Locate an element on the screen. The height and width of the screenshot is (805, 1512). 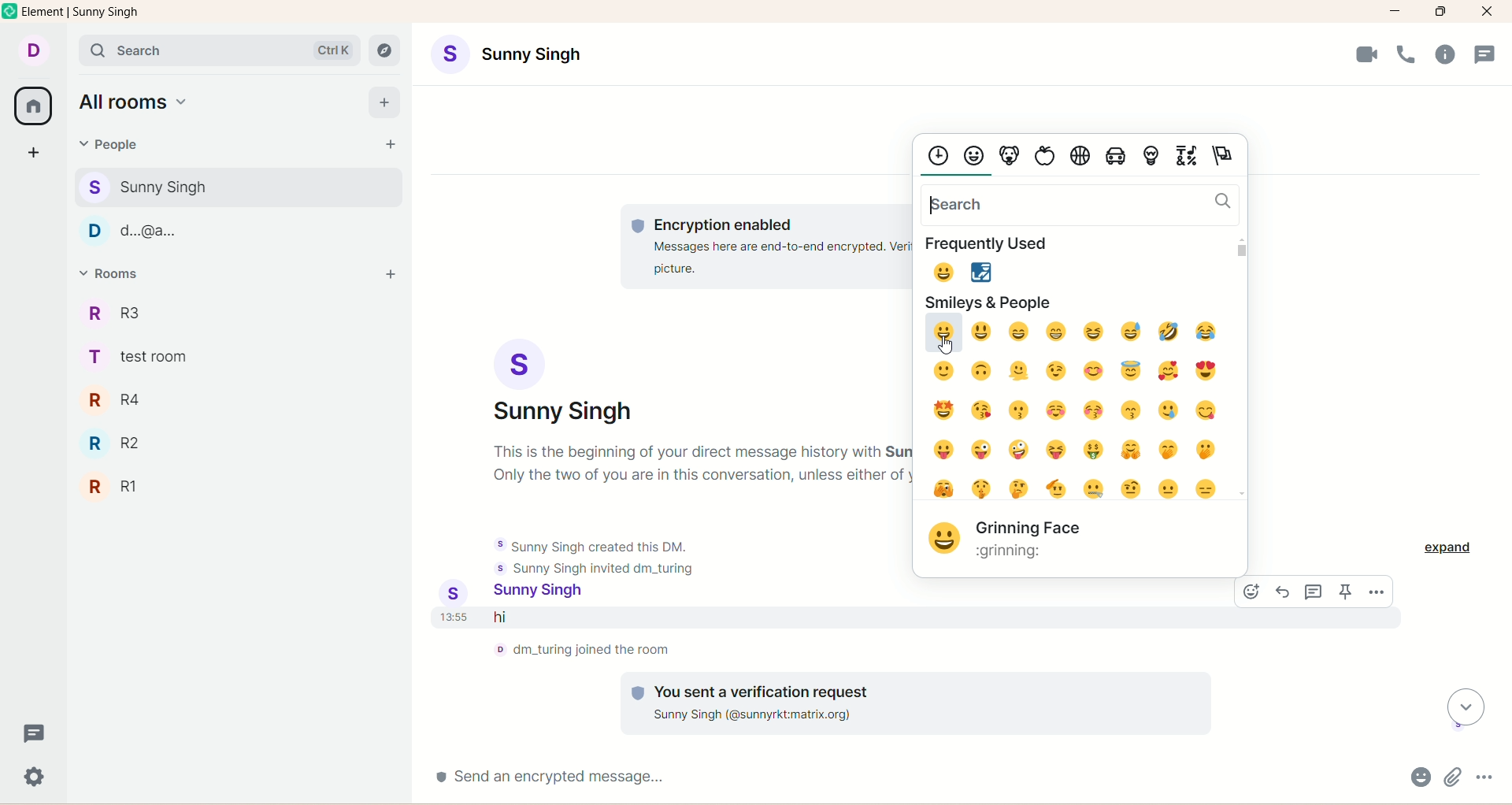
message is located at coordinates (643, 618).